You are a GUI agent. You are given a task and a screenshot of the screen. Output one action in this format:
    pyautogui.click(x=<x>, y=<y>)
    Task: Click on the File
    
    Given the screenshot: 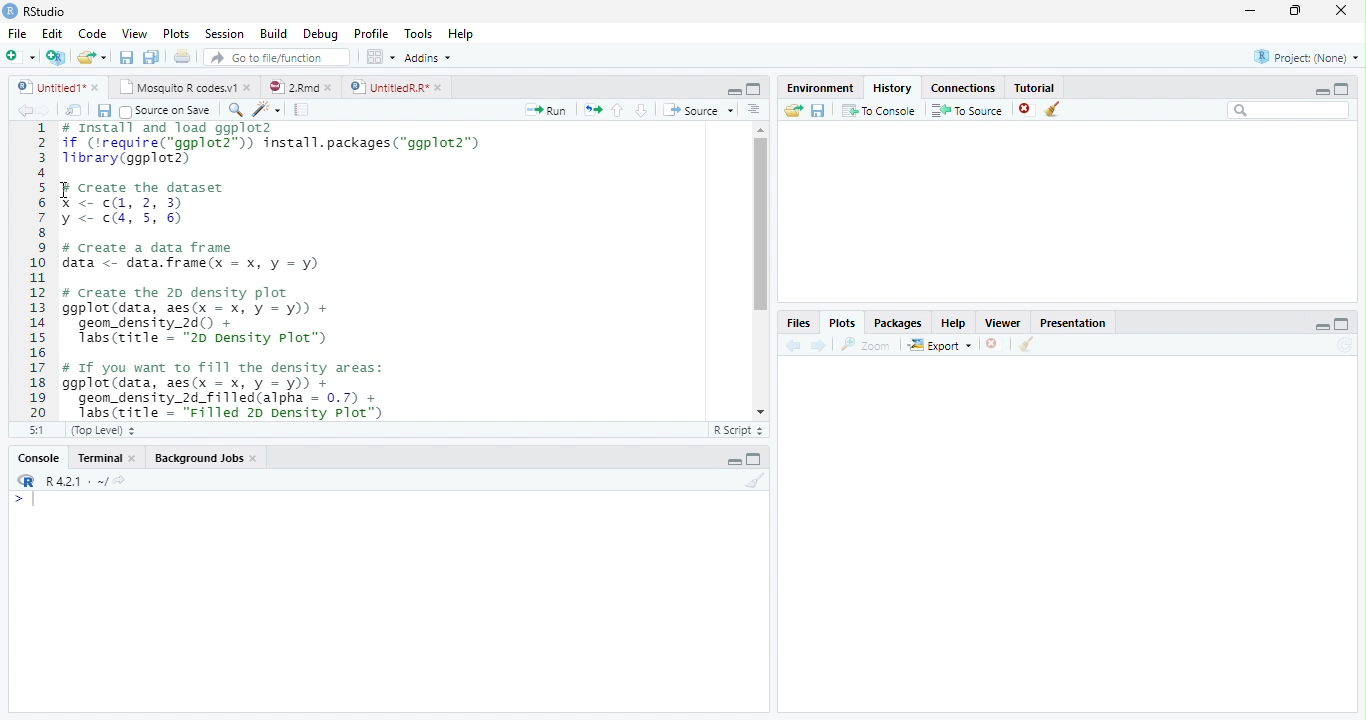 What is the action you would take?
    pyautogui.click(x=17, y=35)
    